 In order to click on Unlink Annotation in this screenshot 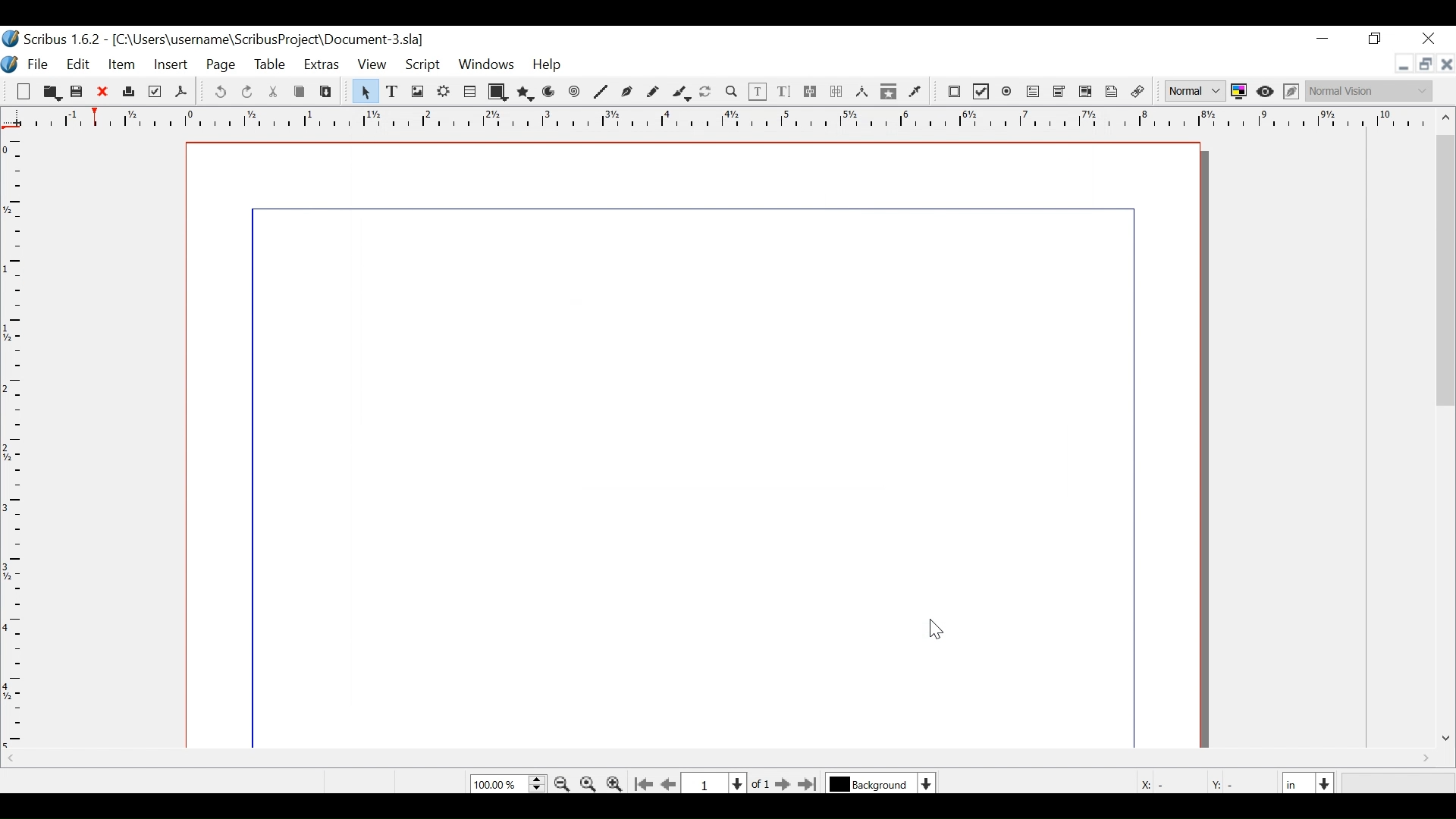, I will do `click(1138, 93)`.